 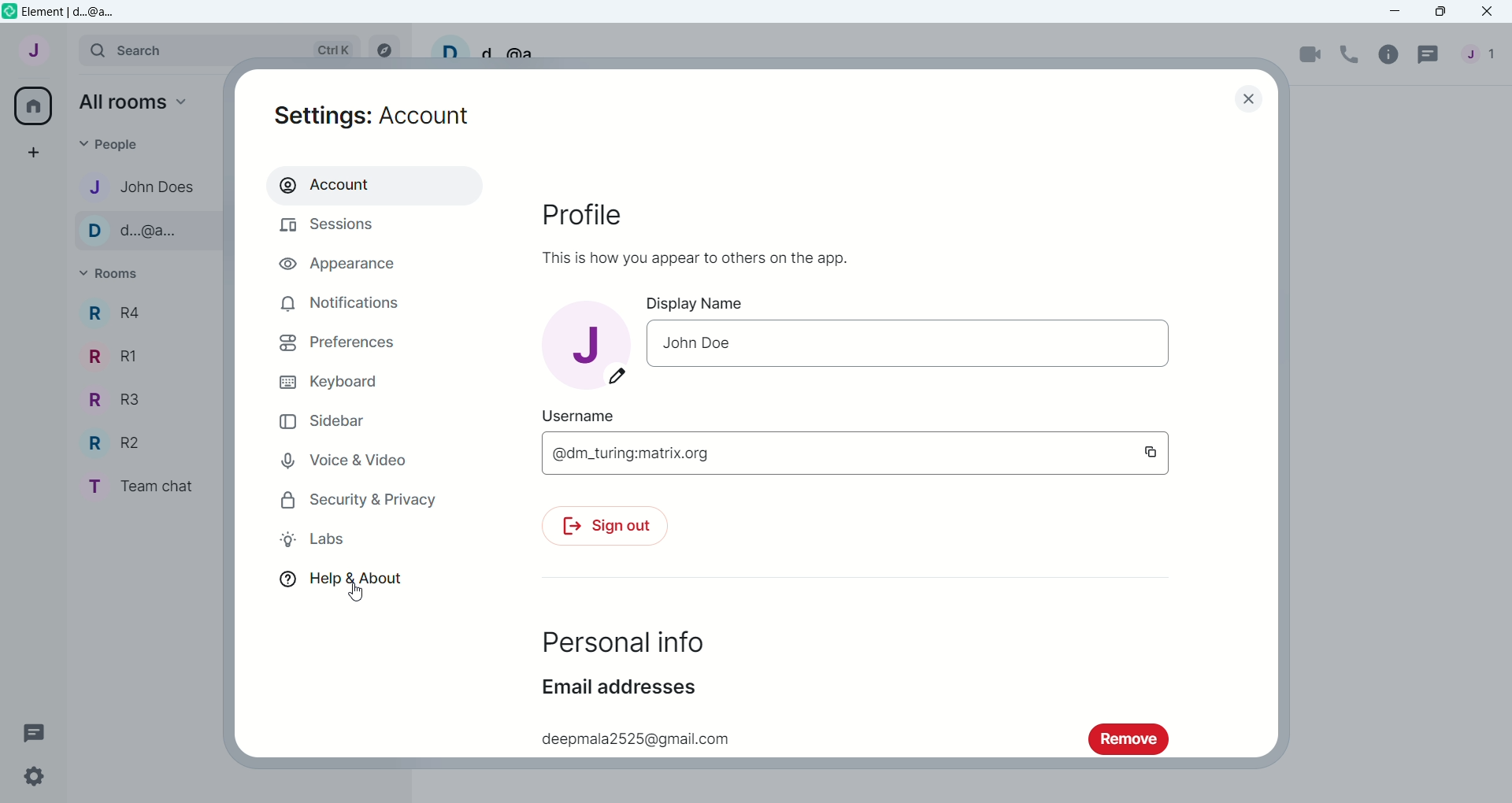 What do you see at coordinates (220, 47) in the screenshot?
I see `Search bar` at bounding box center [220, 47].